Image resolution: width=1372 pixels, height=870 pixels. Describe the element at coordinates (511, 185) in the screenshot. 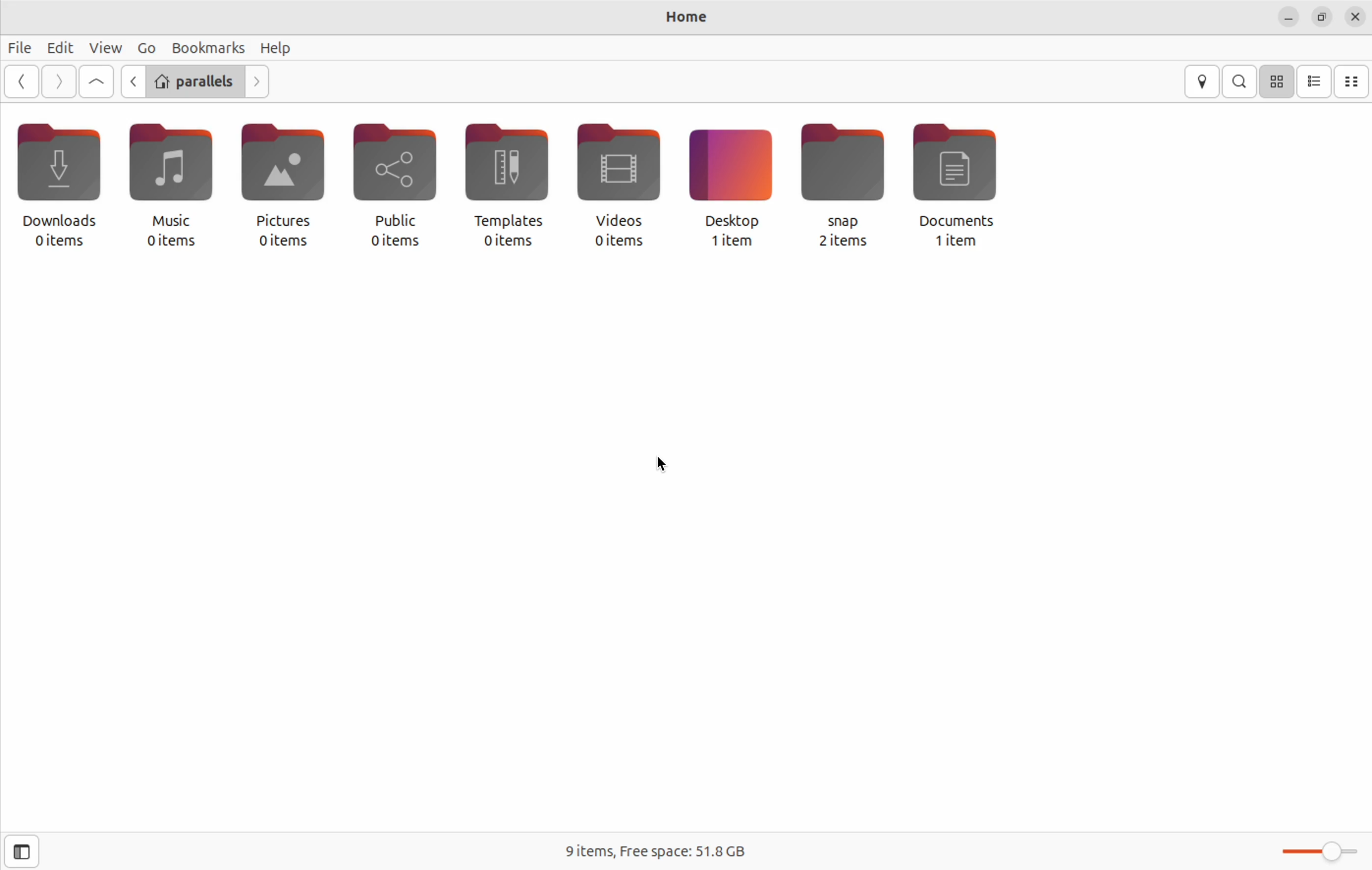

I see `templates 0 items` at that location.